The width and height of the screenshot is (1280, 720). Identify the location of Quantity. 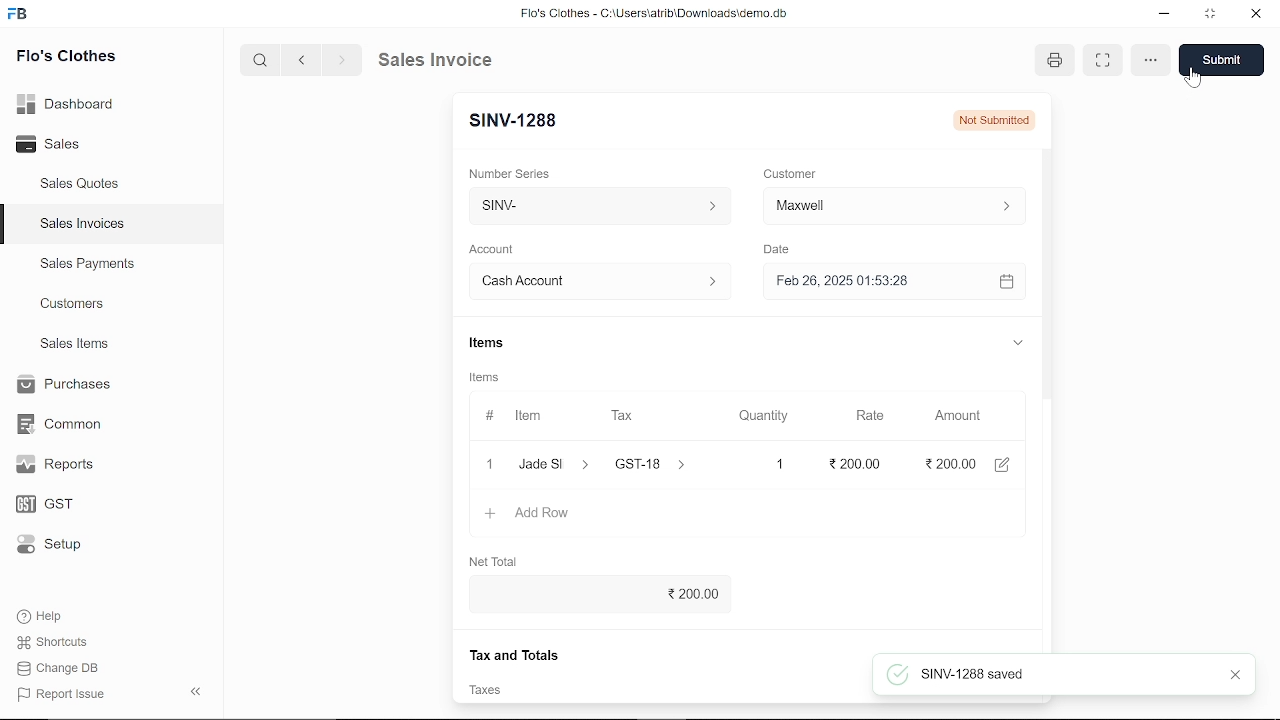
(759, 417).